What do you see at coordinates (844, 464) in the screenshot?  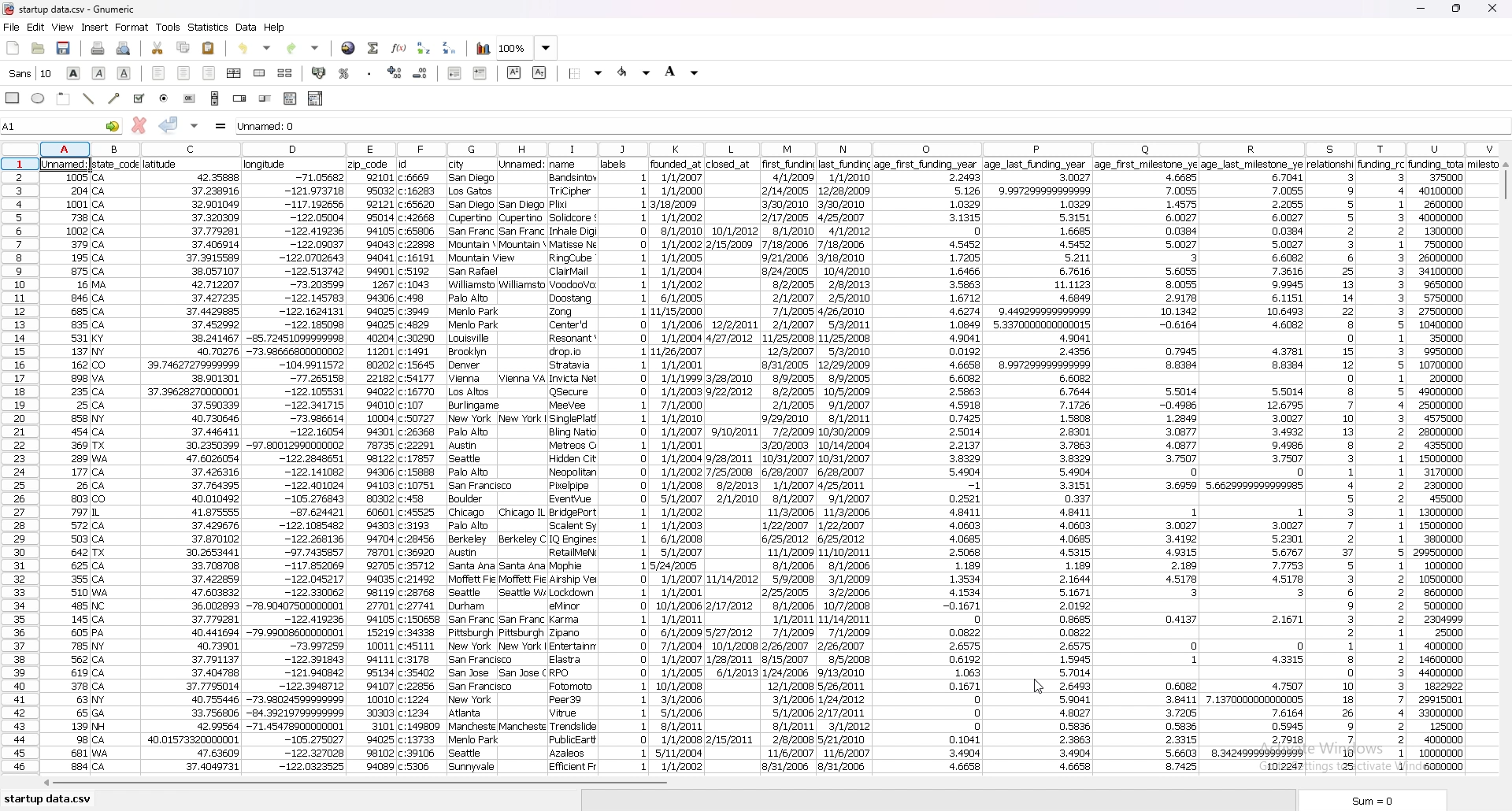 I see `data` at bounding box center [844, 464].